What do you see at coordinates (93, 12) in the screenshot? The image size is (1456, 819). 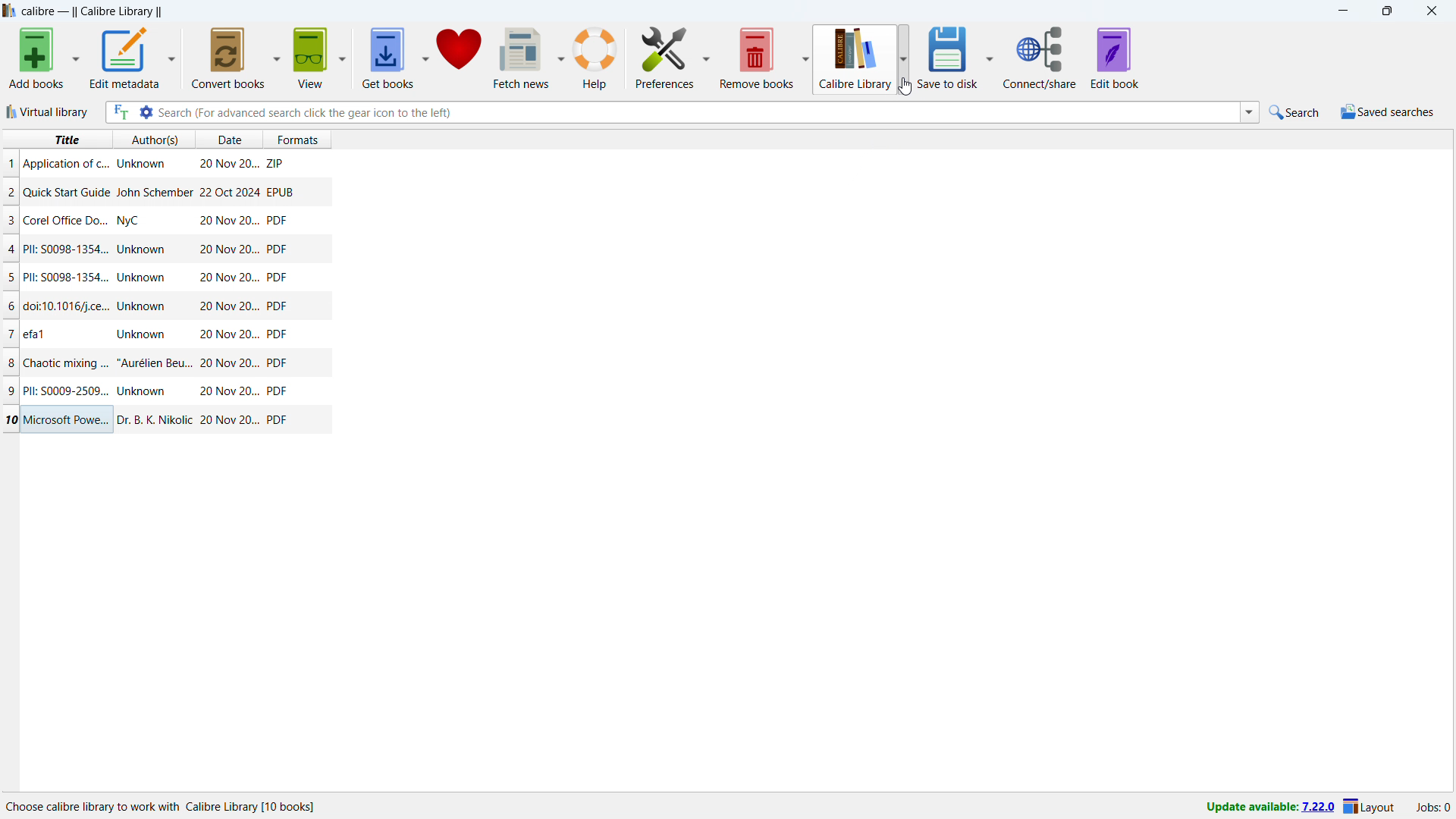 I see `title` at bounding box center [93, 12].